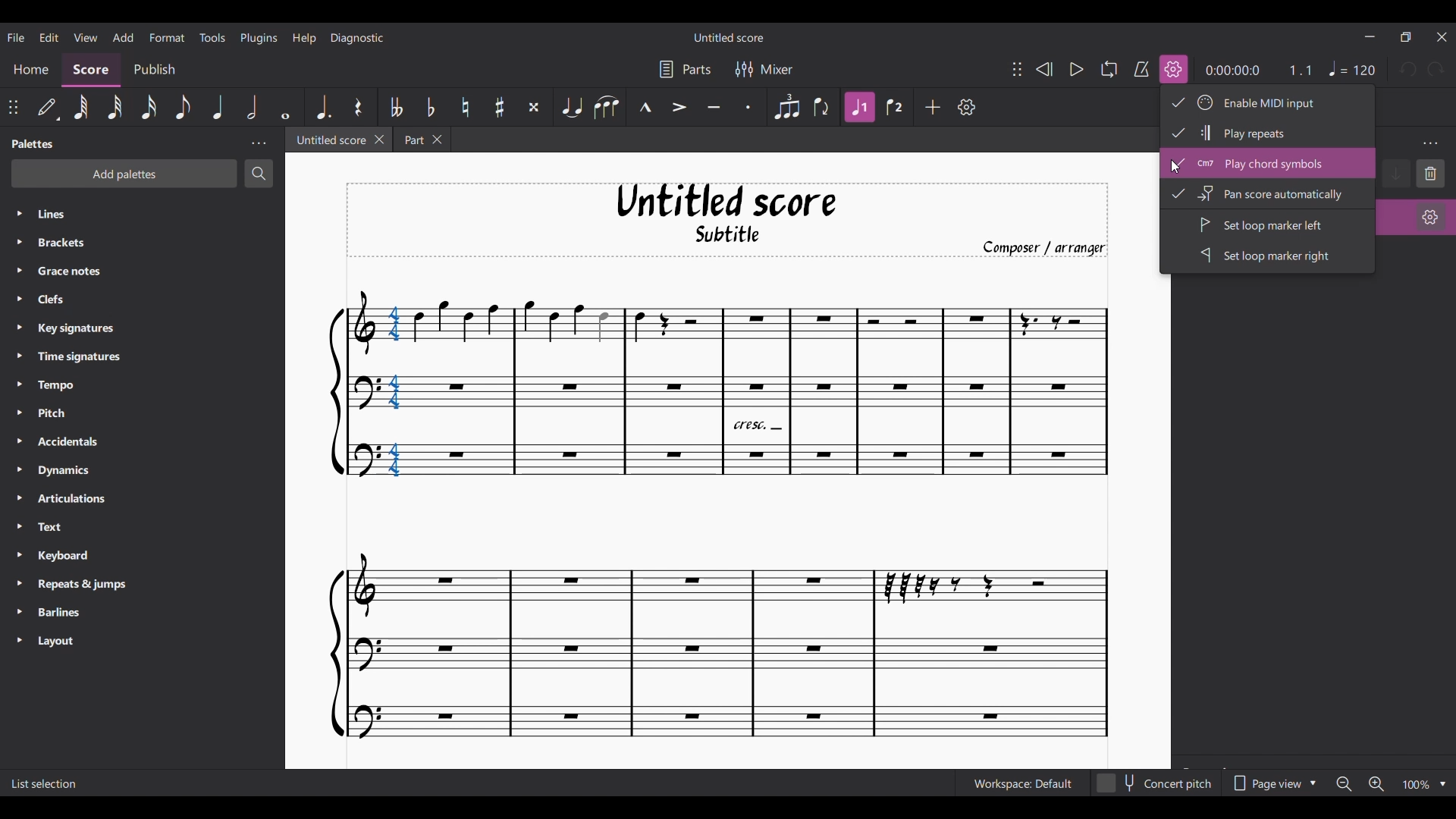 The height and width of the screenshot is (819, 1456). Describe the element at coordinates (1022, 784) in the screenshot. I see `Current workspace setting` at that location.